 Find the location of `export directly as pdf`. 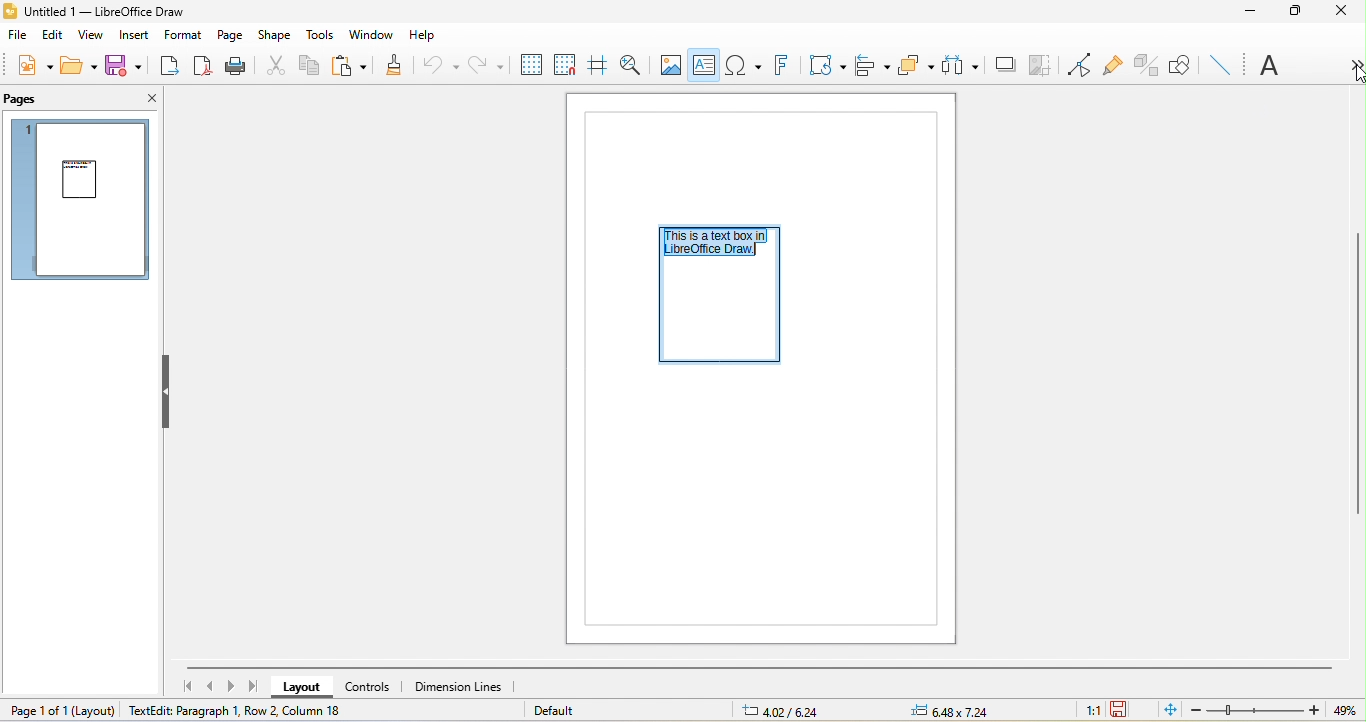

export directly as pdf is located at coordinates (205, 67).